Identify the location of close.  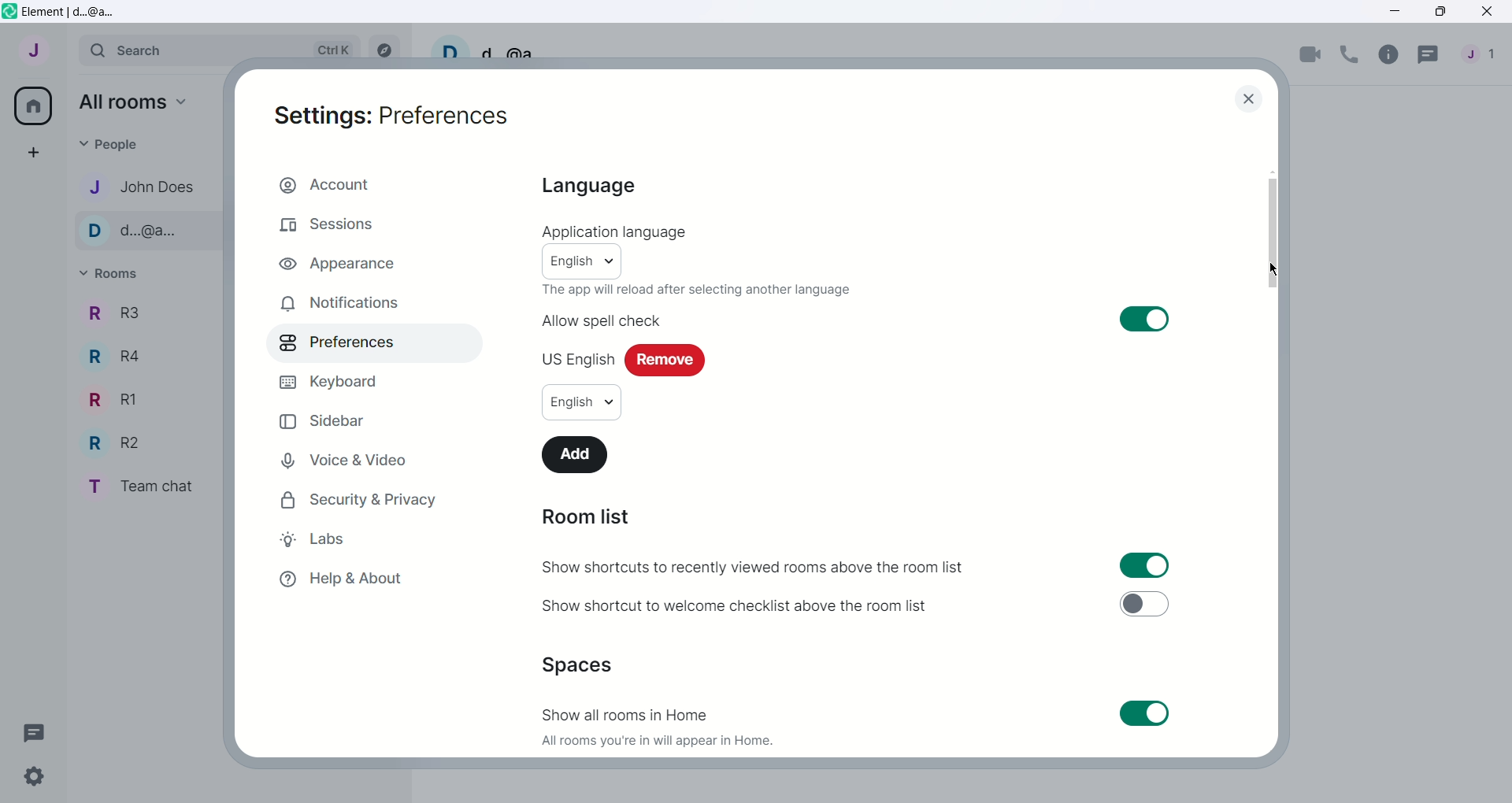
(1249, 98).